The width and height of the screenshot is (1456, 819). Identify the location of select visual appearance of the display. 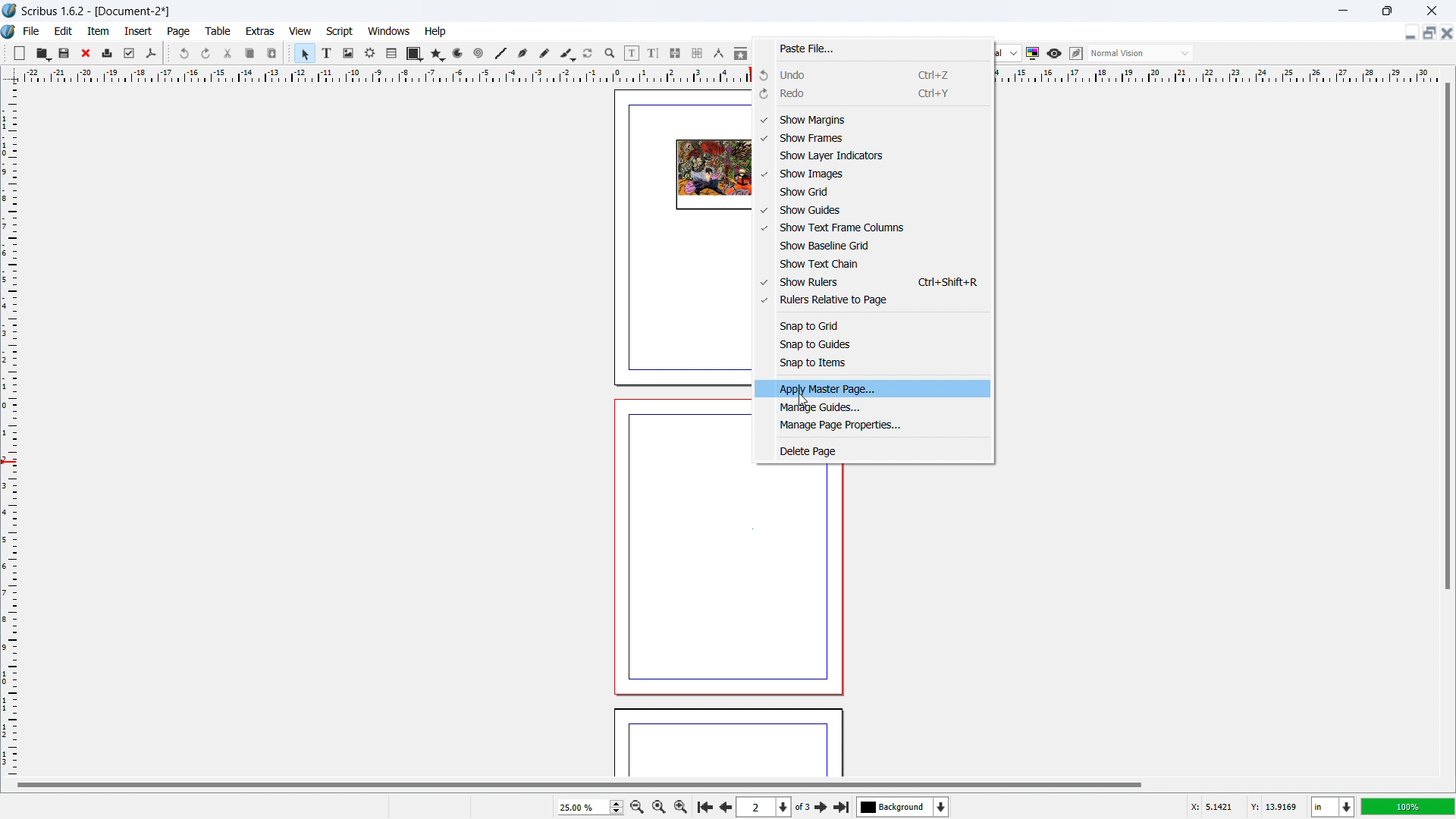
(1141, 53).